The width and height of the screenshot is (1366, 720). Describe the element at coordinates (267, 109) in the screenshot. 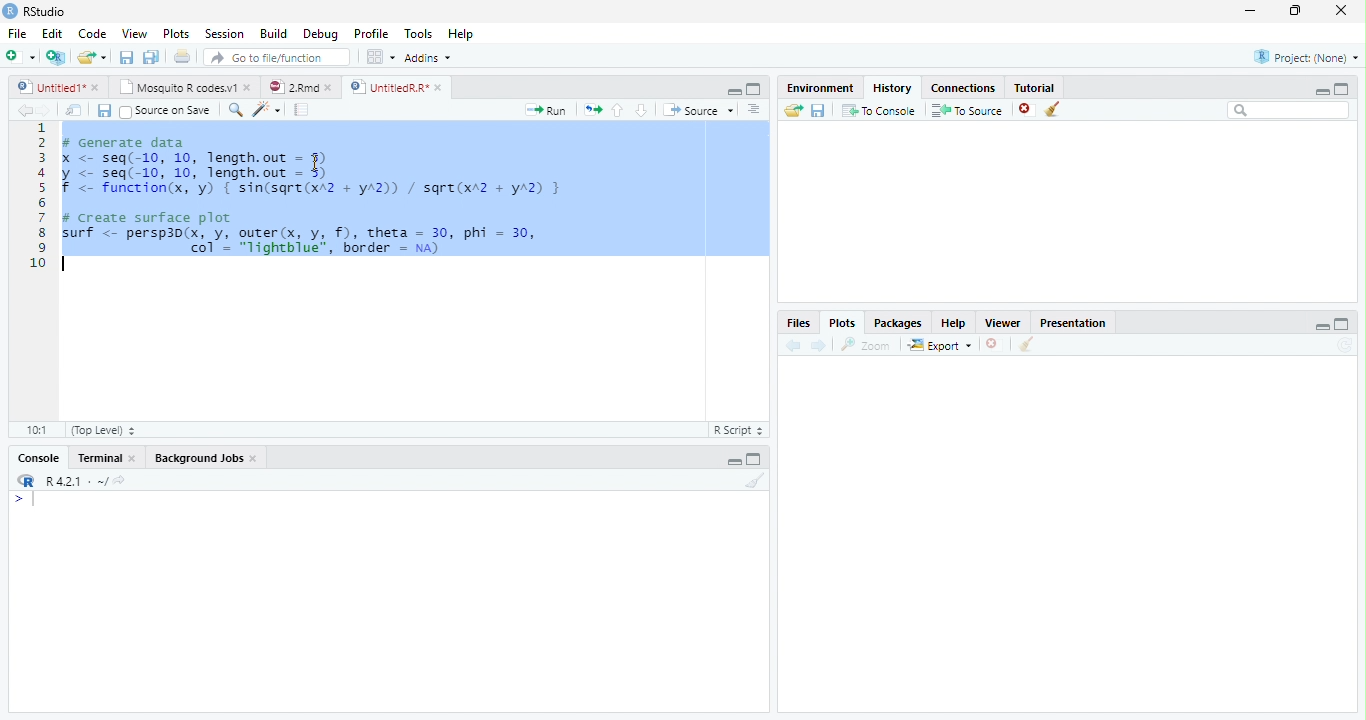

I see `Code tools` at that location.